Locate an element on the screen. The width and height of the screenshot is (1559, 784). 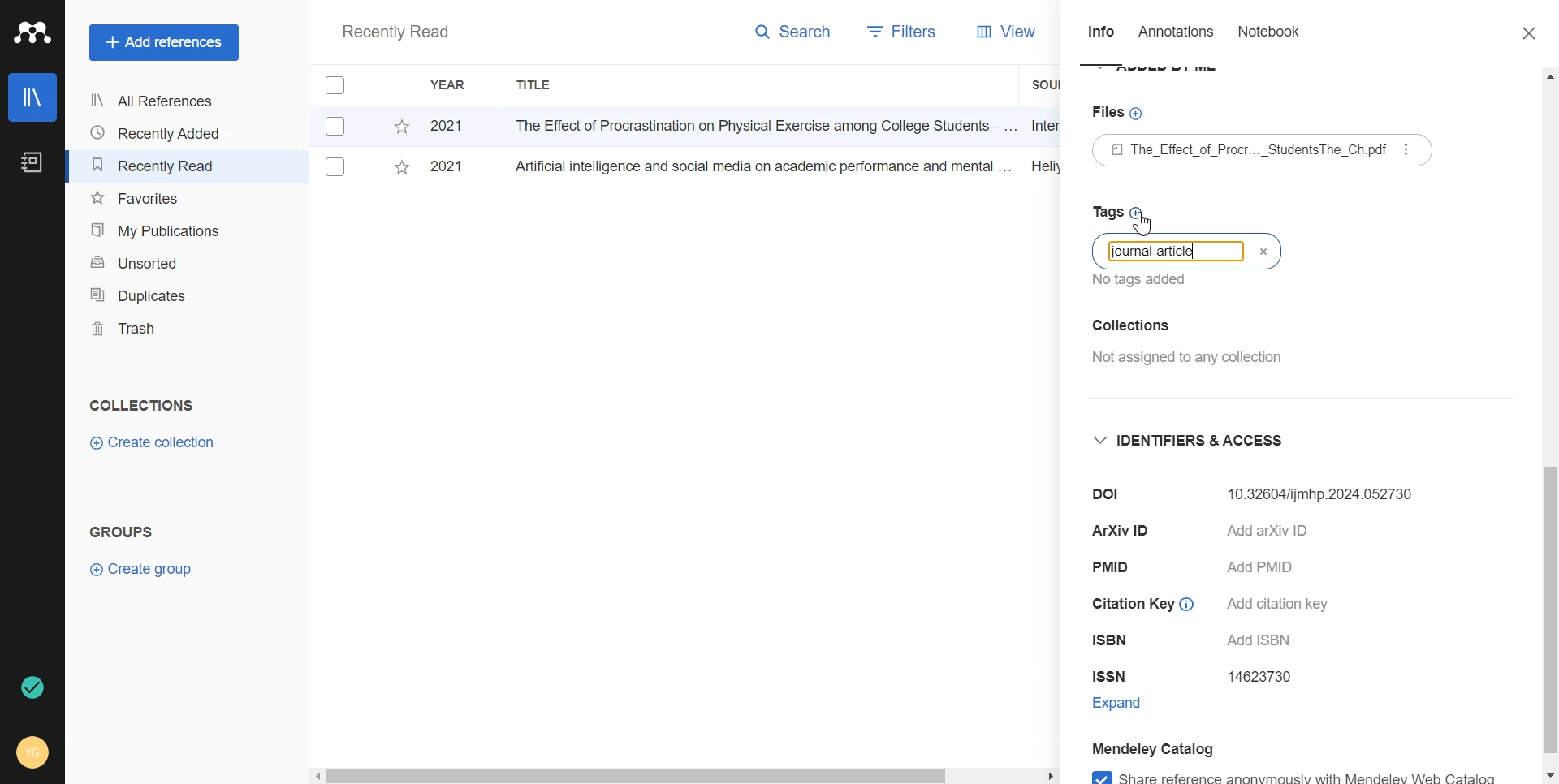
My Publications is located at coordinates (159, 230).